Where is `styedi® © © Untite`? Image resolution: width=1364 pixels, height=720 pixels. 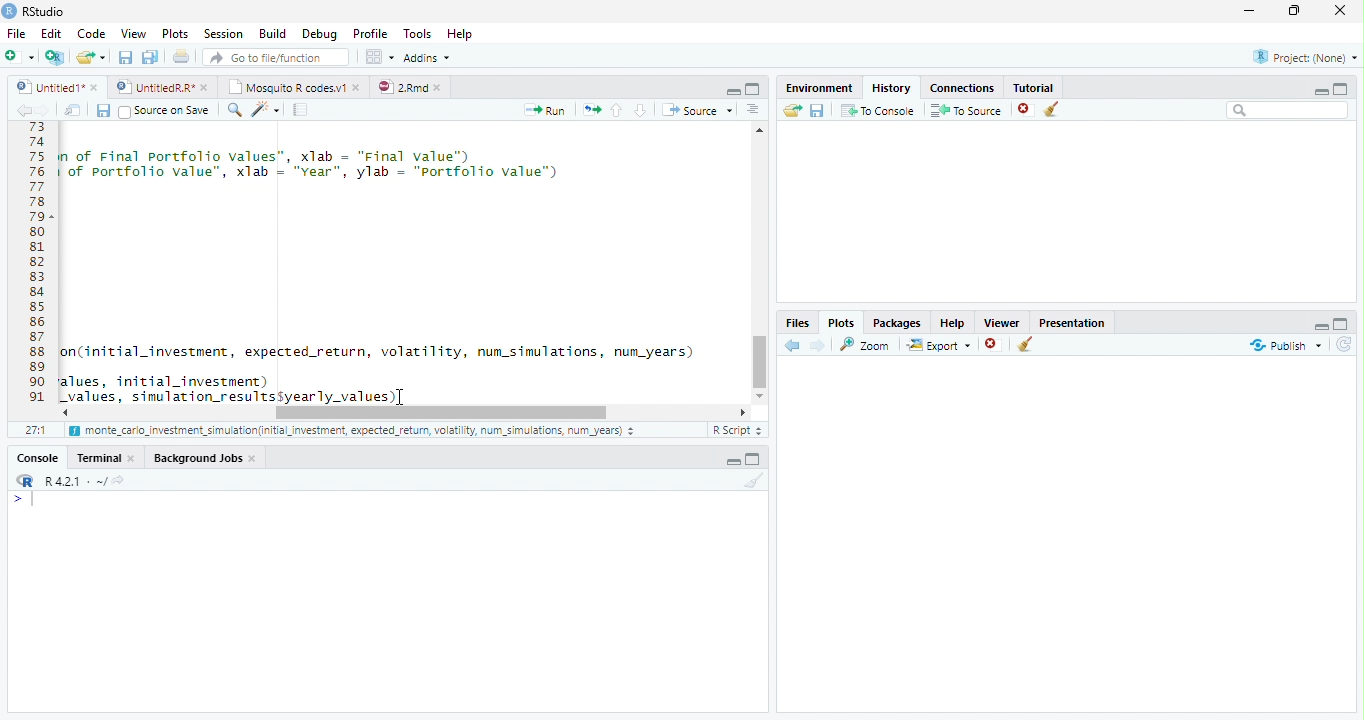
styedi® © © Untite is located at coordinates (162, 87).